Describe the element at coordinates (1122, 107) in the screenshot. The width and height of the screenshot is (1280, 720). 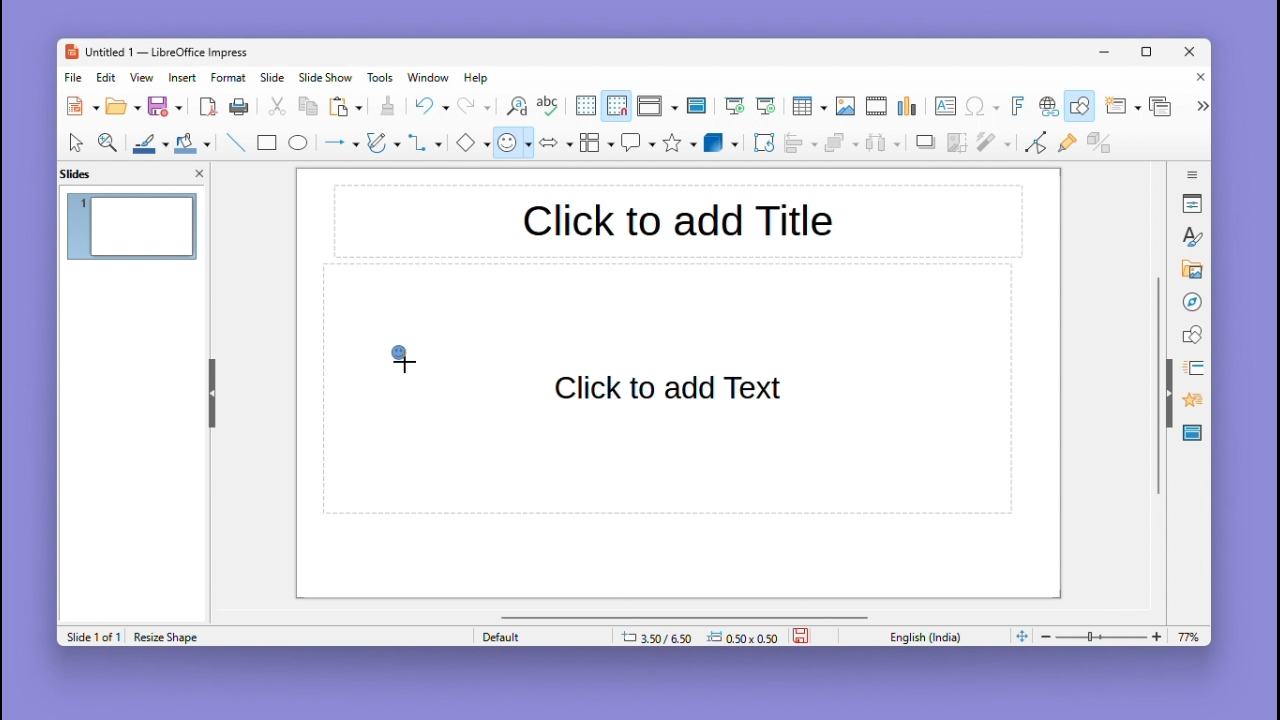
I see `New slide` at that location.